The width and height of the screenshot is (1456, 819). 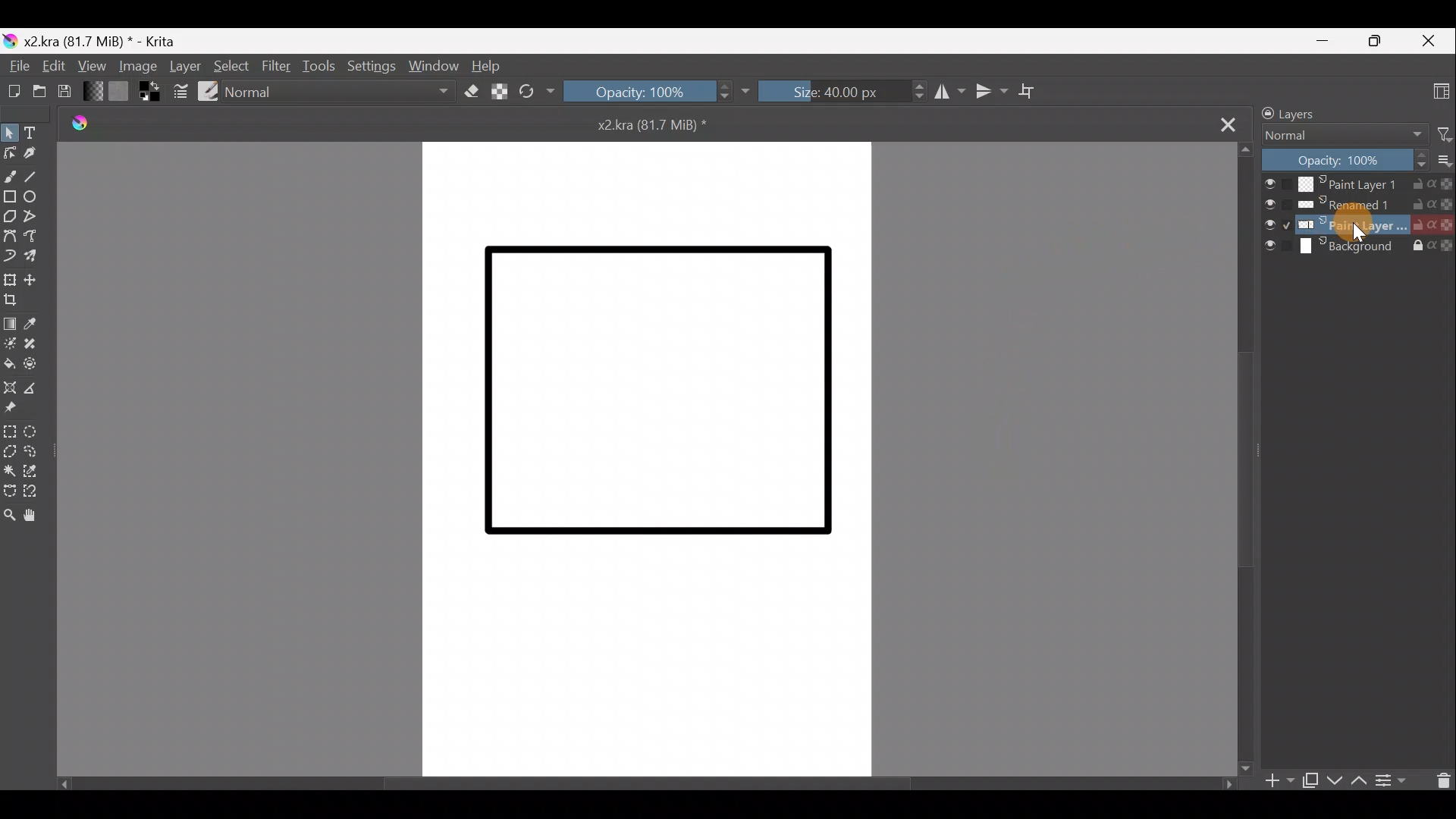 What do you see at coordinates (11, 216) in the screenshot?
I see `Polygon tool` at bounding box center [11, 216].